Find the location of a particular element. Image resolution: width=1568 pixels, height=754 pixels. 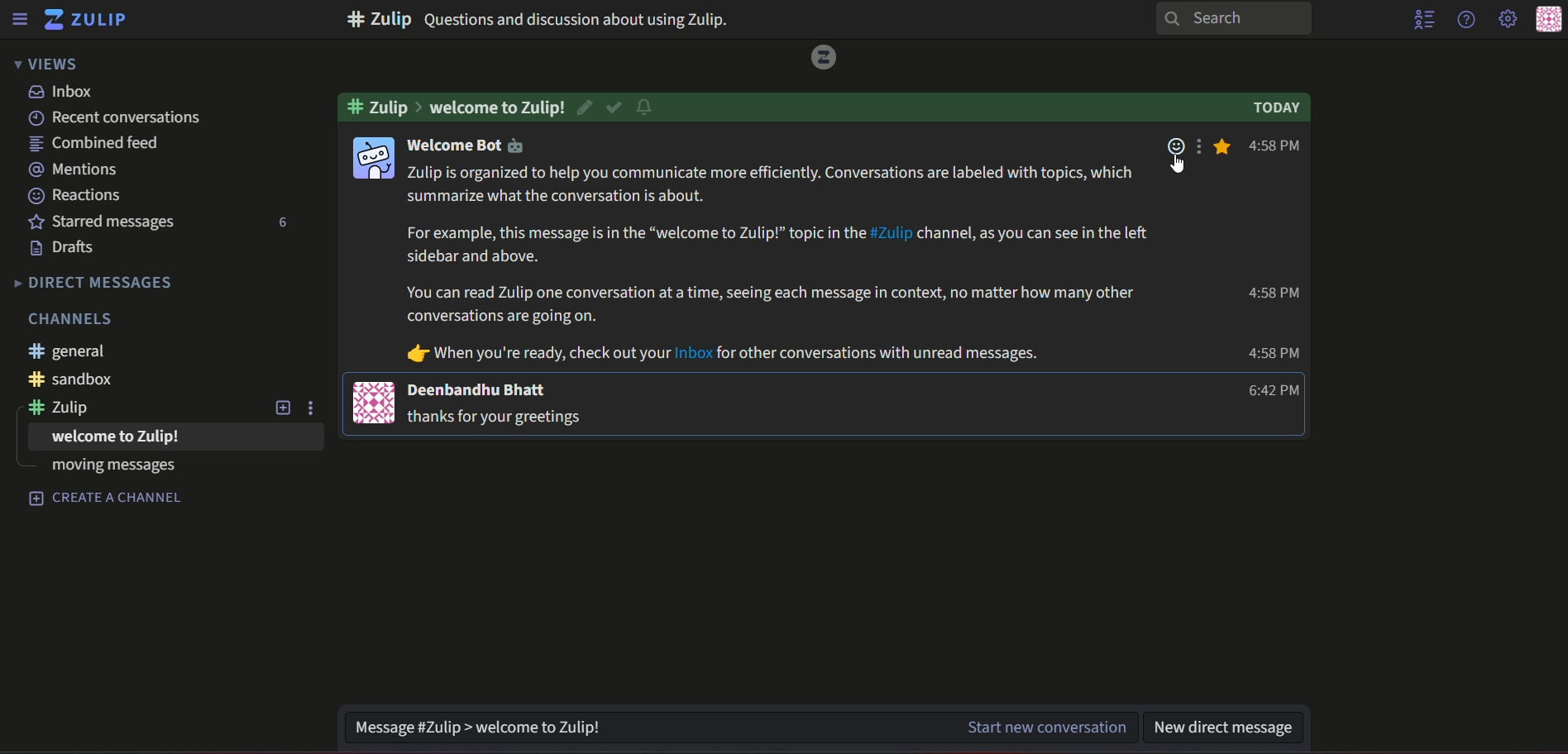

Channels is located at coordinates (72, 319).